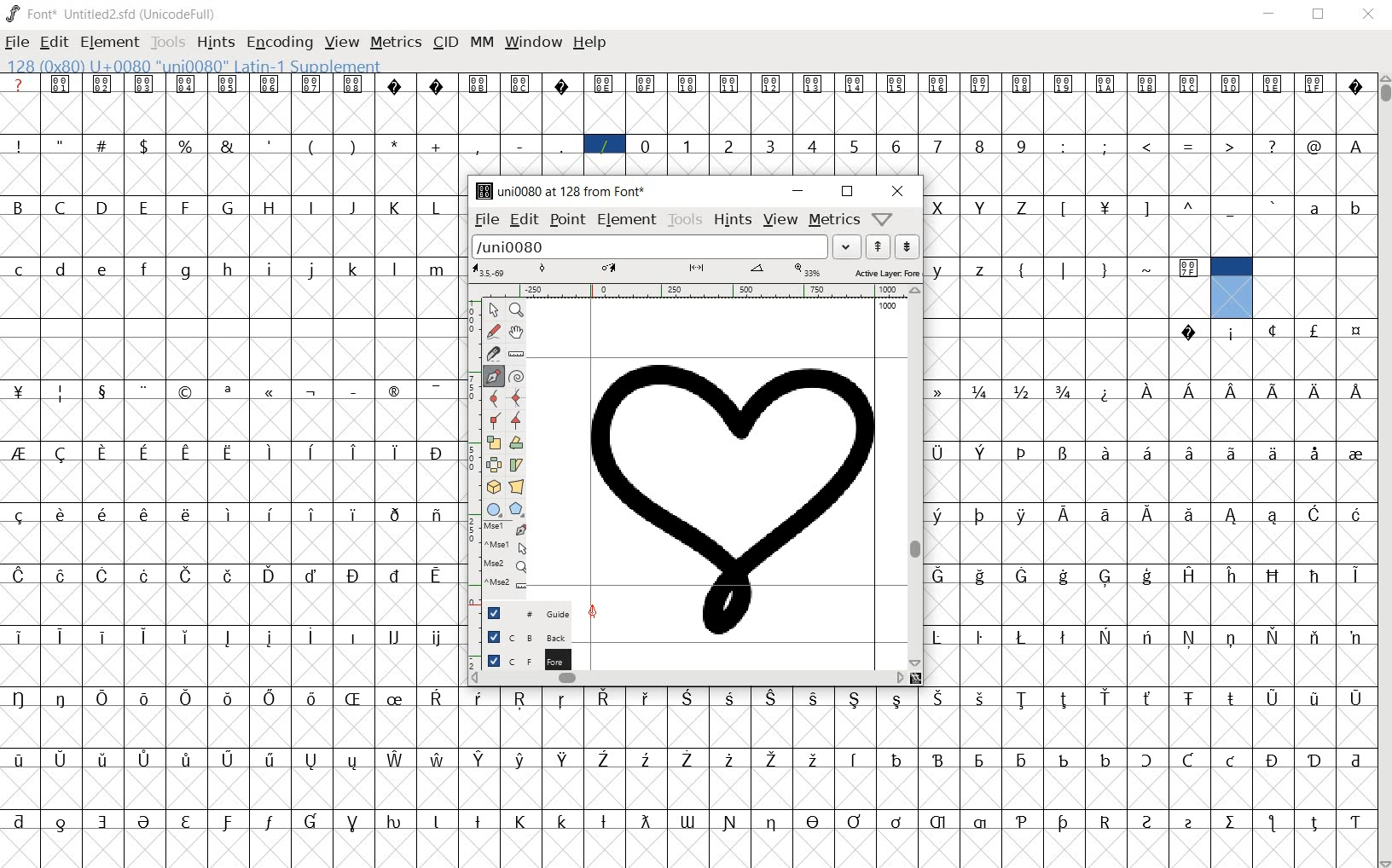  I want to click on glyph, so click(478, 698).